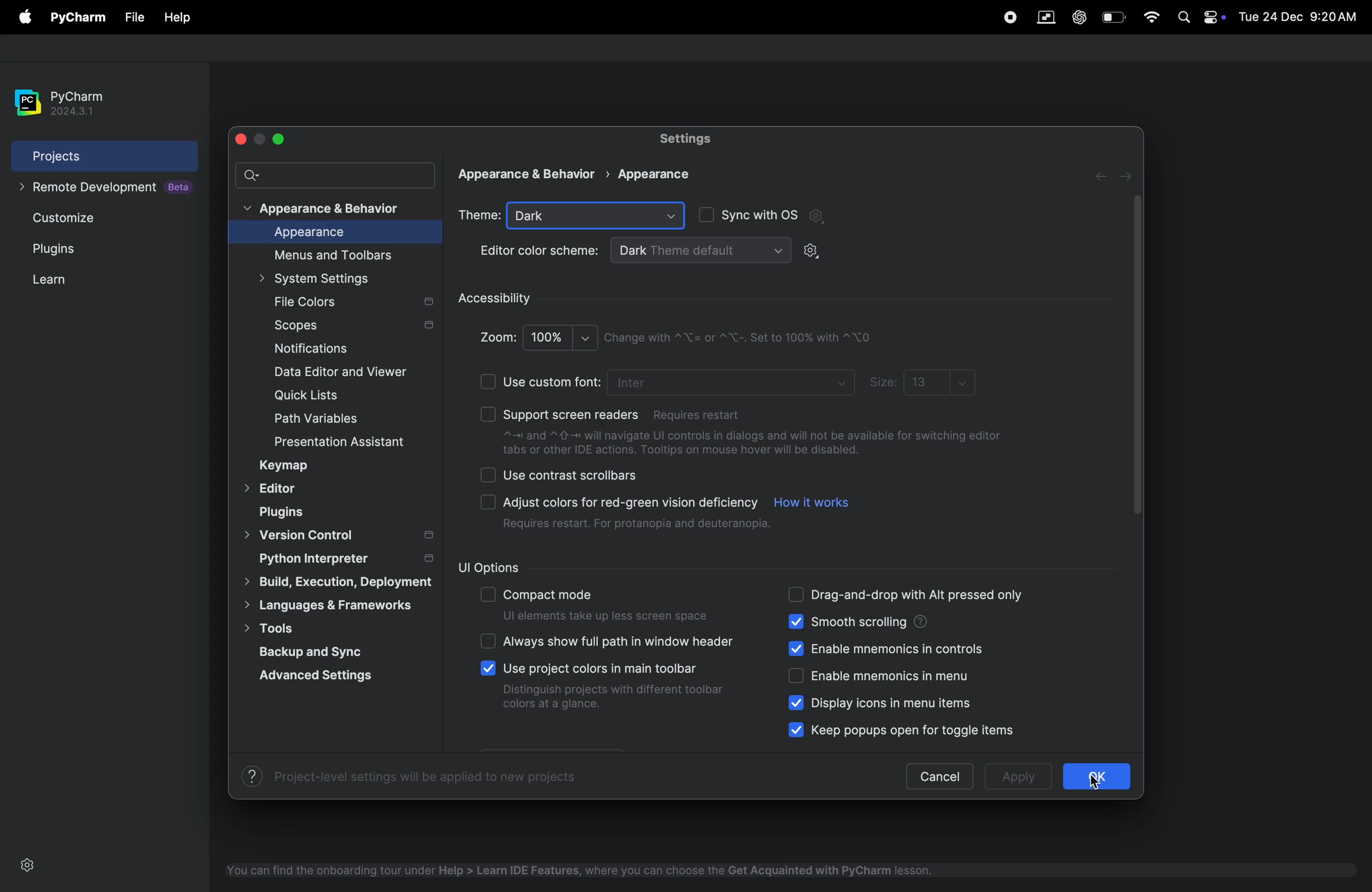 This screenshot has width=1372, height=892. I want to click on build execution and deployment, so click(331, 582).